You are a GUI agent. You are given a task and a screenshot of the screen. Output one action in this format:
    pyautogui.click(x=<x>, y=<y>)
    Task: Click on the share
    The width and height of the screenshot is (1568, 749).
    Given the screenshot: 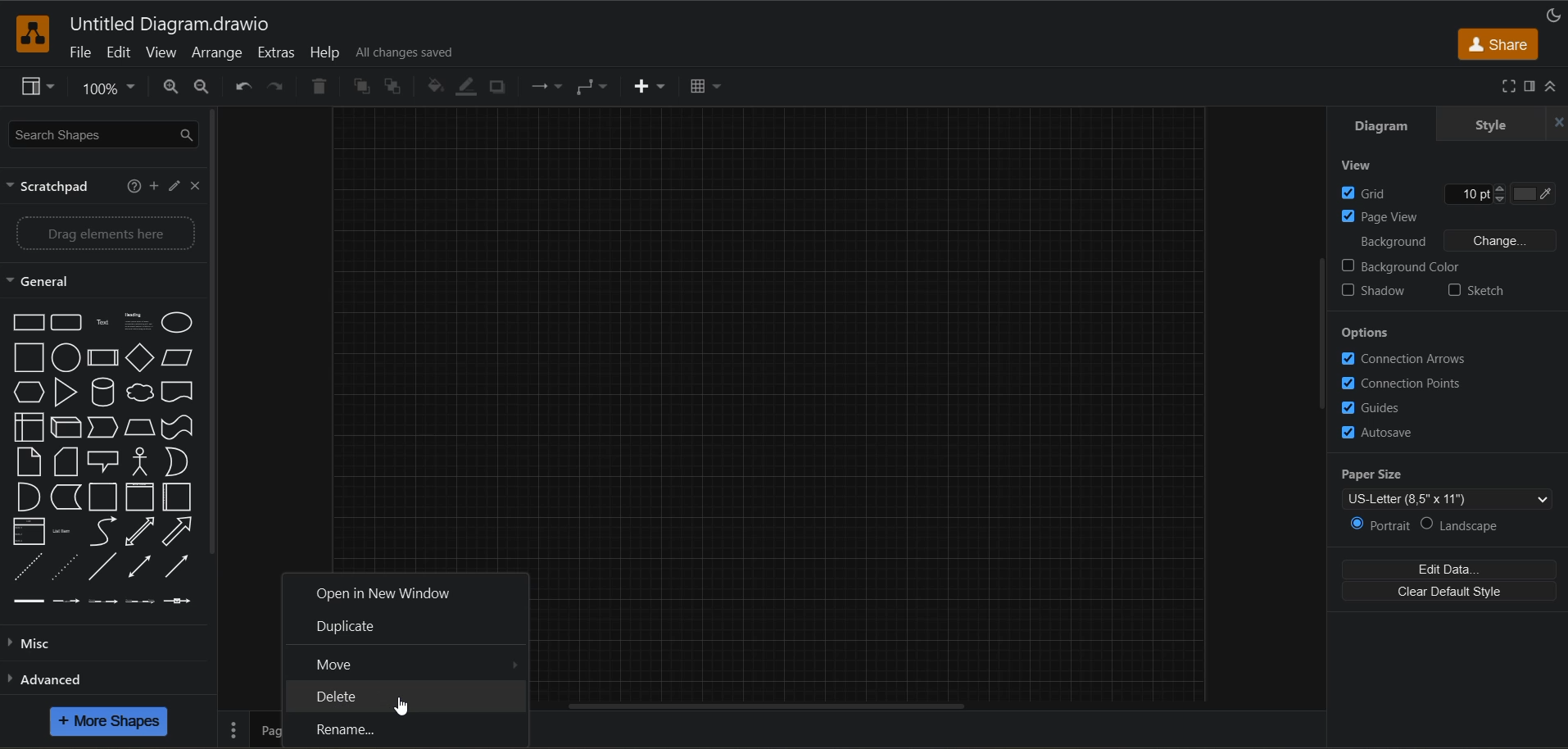 What is the action you would take?
    pyautogui.click(x=1498, y=45)
    